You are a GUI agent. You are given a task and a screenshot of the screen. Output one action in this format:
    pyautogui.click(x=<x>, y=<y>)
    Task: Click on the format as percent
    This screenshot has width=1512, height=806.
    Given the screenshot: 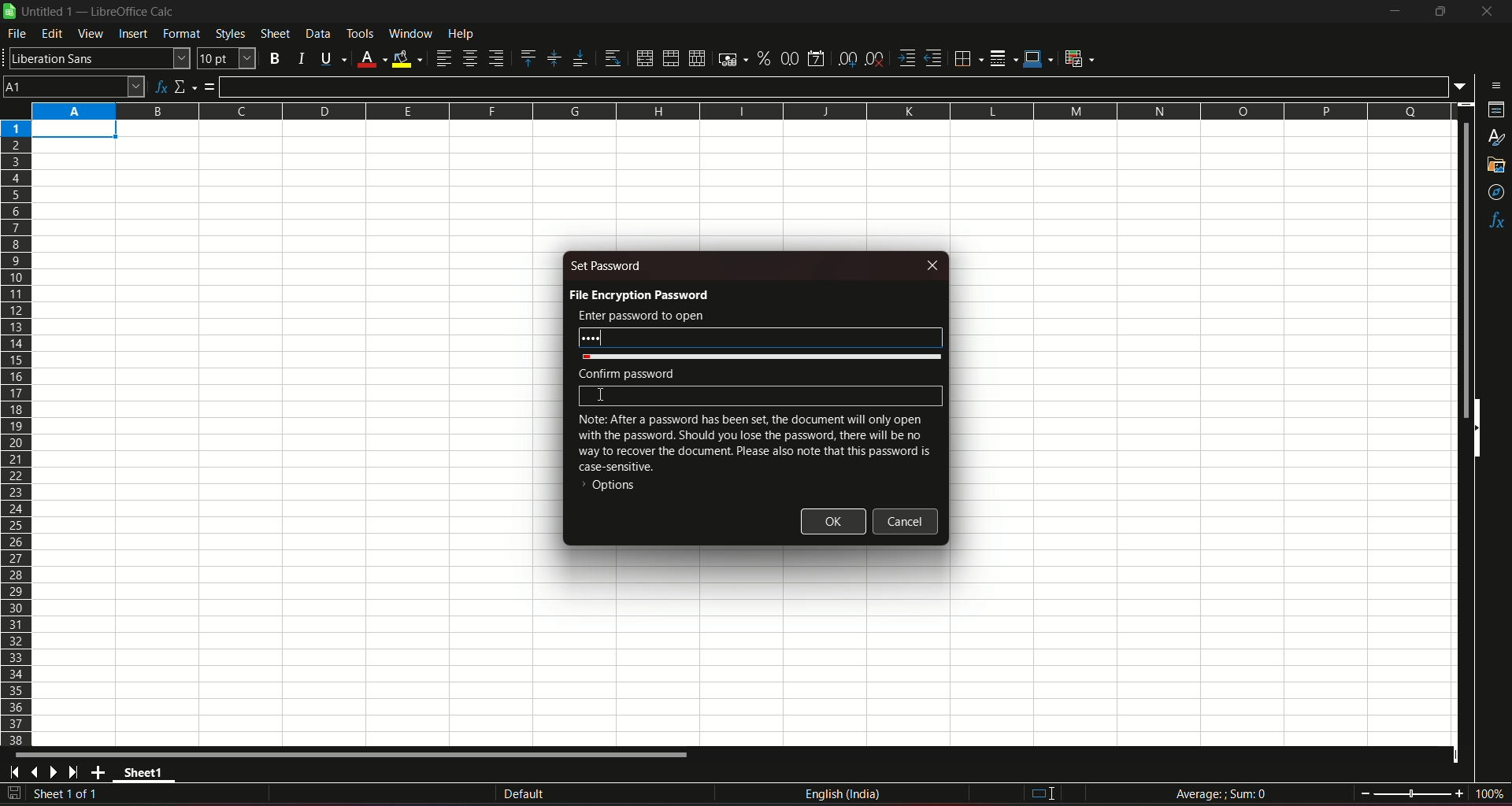 What is the action you would take?
    pyautogui.click(x=762, y=59)
    